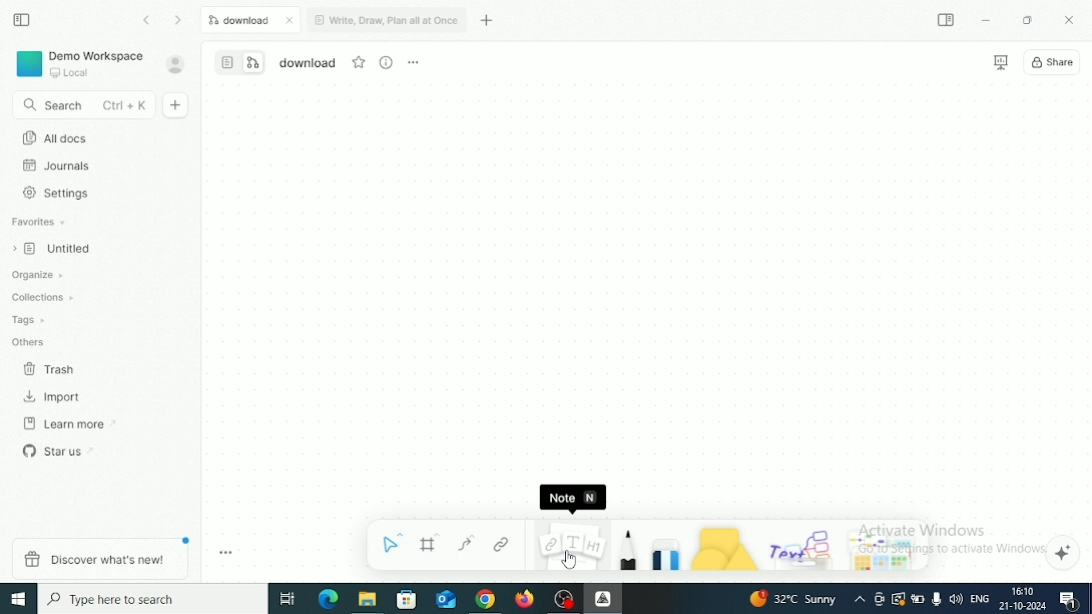  I want to click on Search, so click(83, 106).